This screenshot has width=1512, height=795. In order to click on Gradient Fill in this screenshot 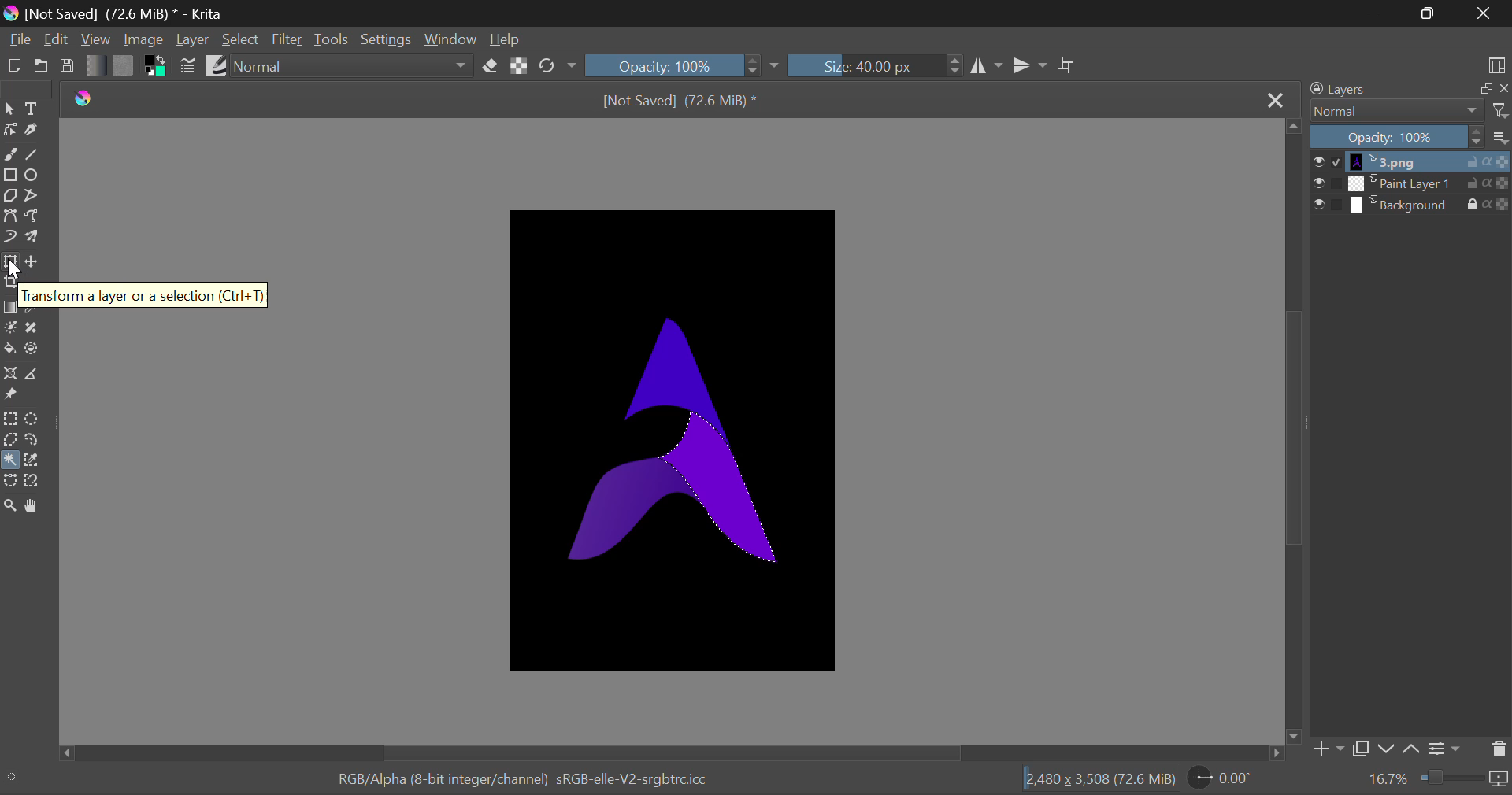, I will do `click(10, 308)`.